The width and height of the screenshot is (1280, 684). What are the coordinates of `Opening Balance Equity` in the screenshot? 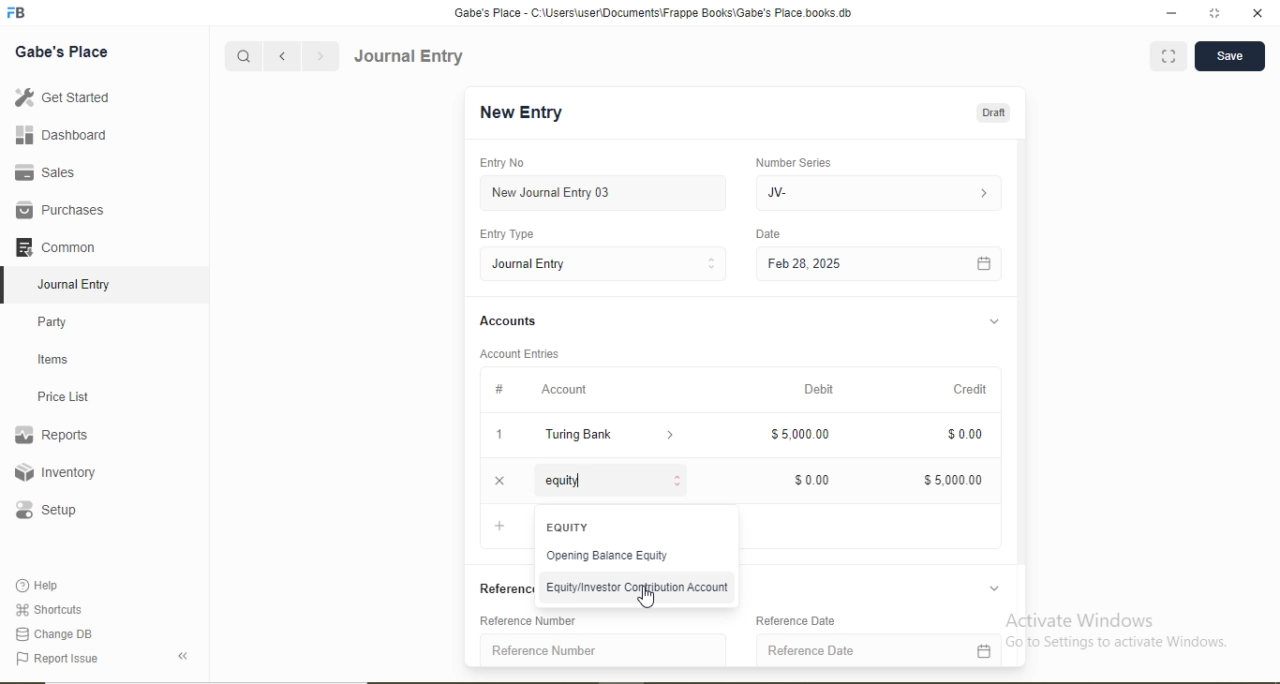 It's located at (606, 555).